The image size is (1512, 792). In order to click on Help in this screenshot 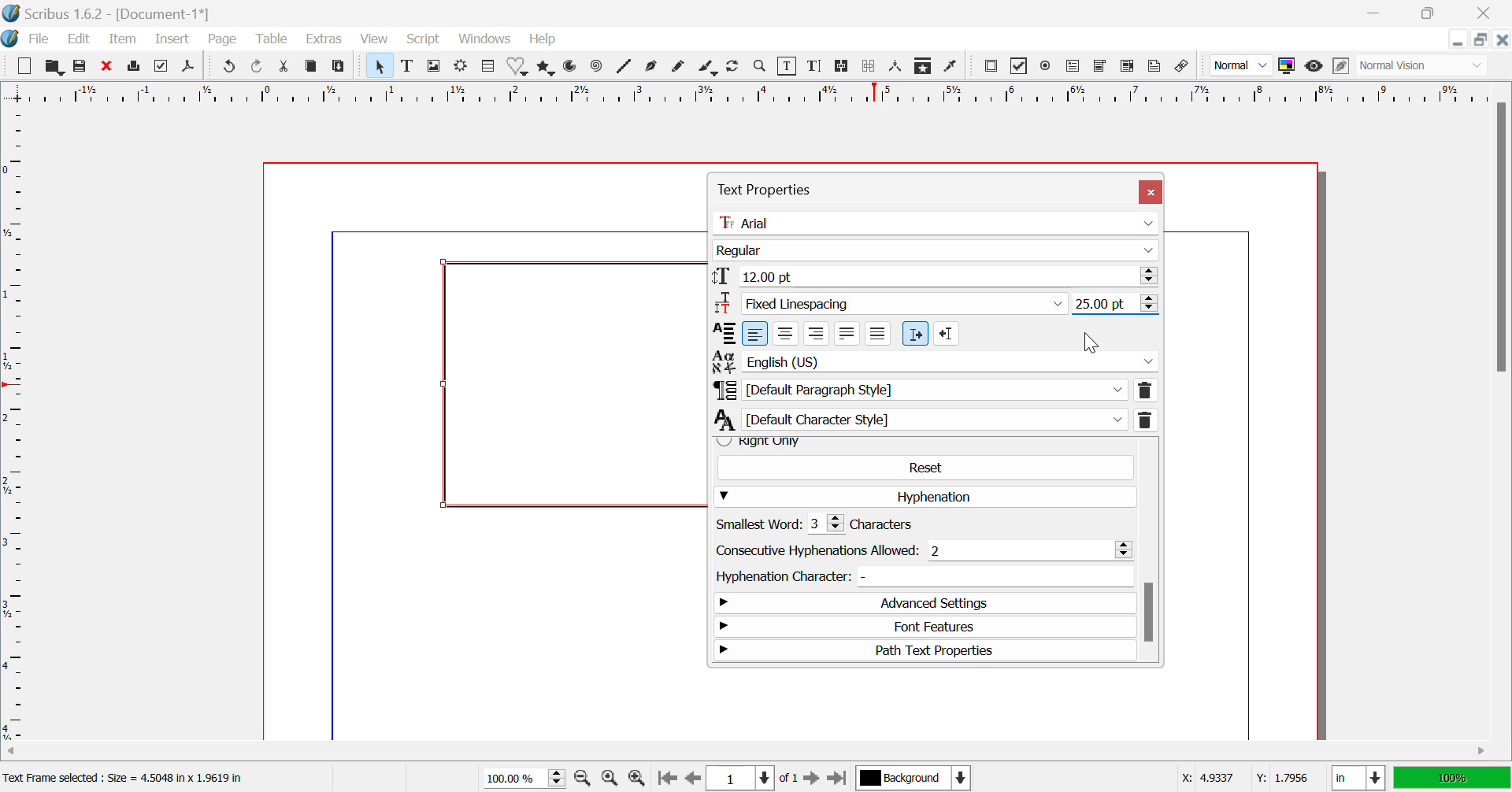, I will do `click(543, 40)`.